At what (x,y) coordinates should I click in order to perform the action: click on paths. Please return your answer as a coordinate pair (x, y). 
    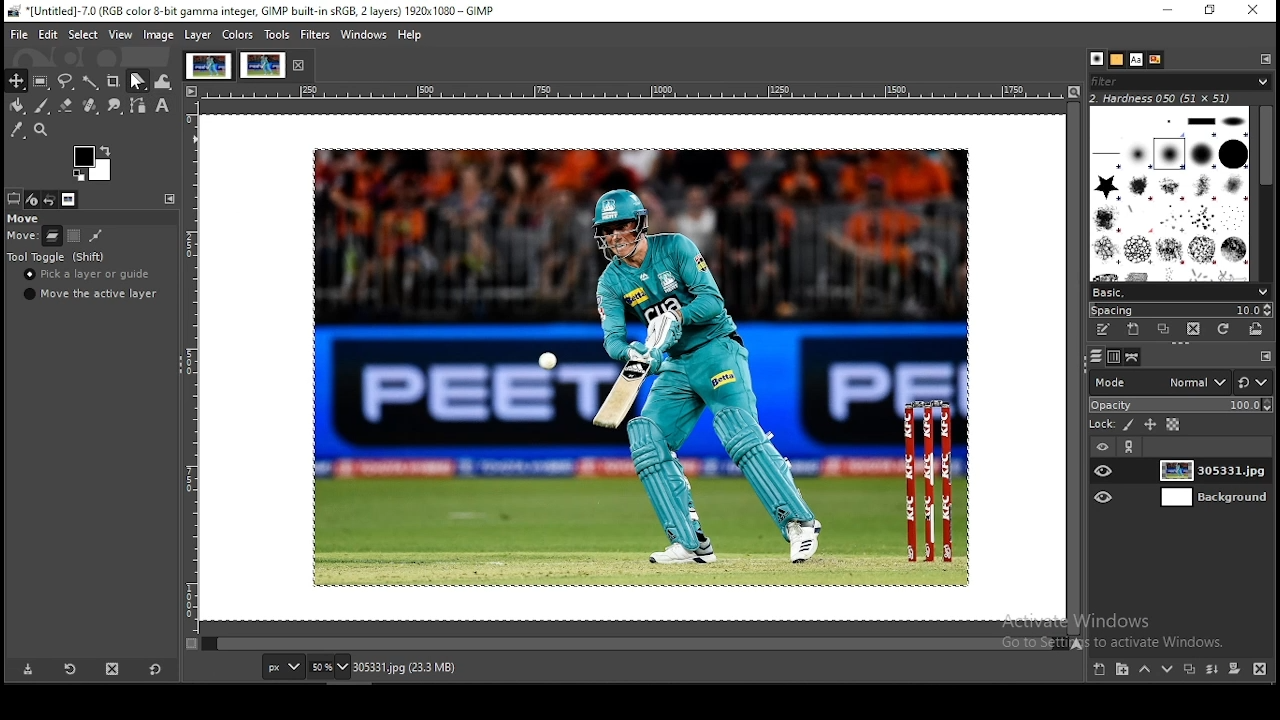
    Looking at the image, I should click on (1095, 356).